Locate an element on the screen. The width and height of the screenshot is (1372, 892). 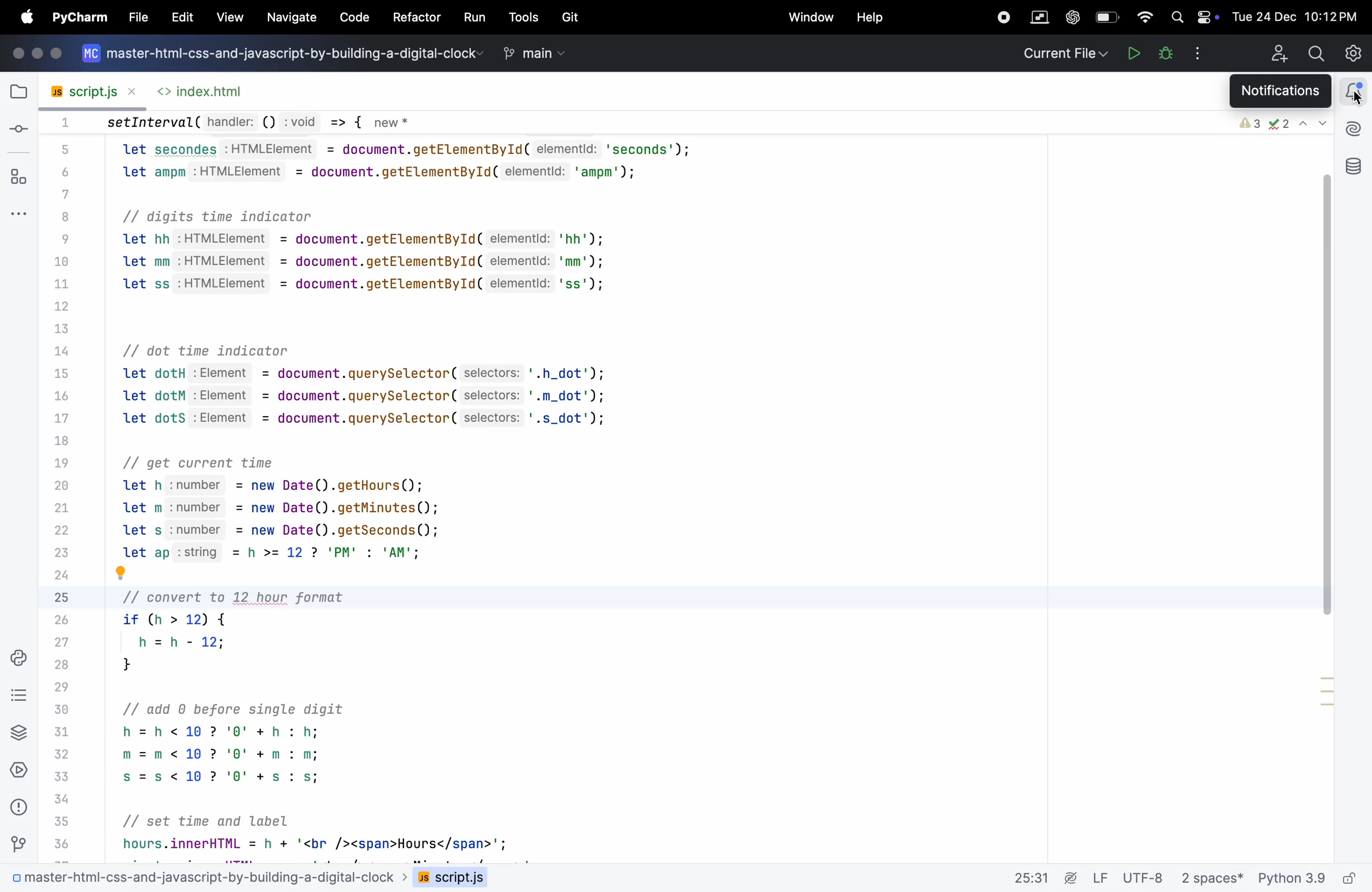
python console is located at coordinates (17, 659).